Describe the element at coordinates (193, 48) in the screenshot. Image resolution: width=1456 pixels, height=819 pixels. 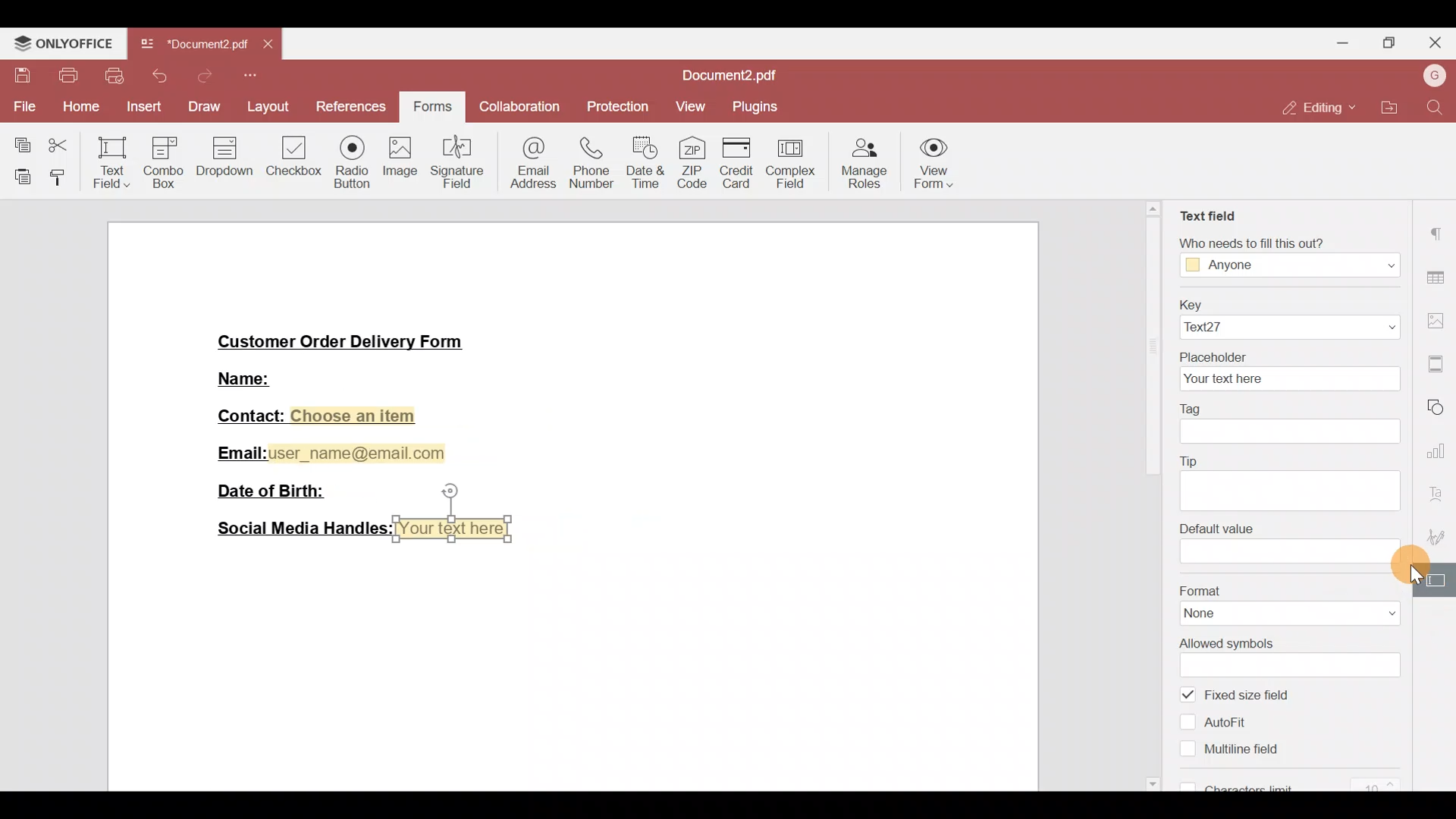
I see `Document2.pdf` at that location.